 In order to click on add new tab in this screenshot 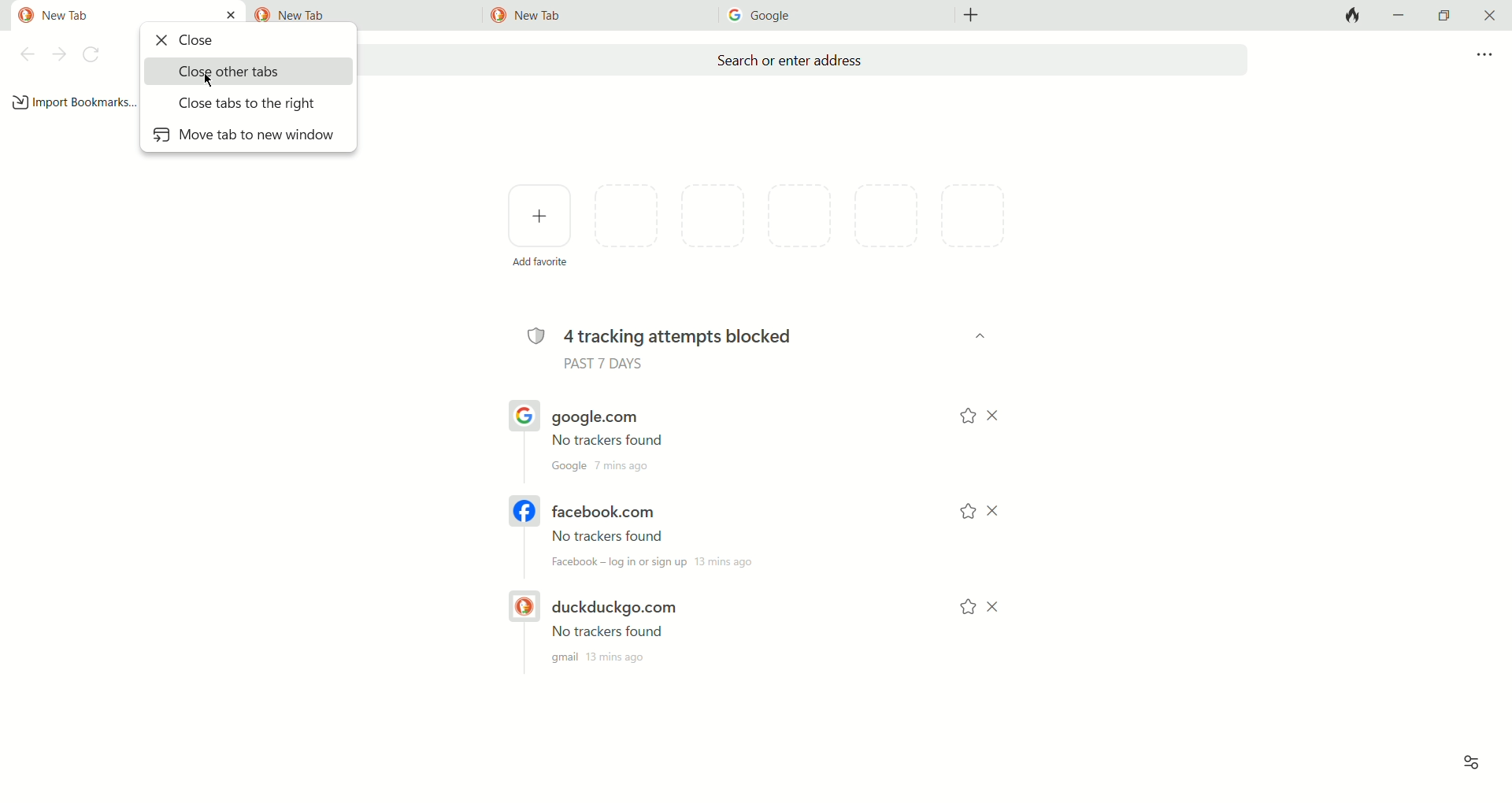, I will do `click(977, 13)`.